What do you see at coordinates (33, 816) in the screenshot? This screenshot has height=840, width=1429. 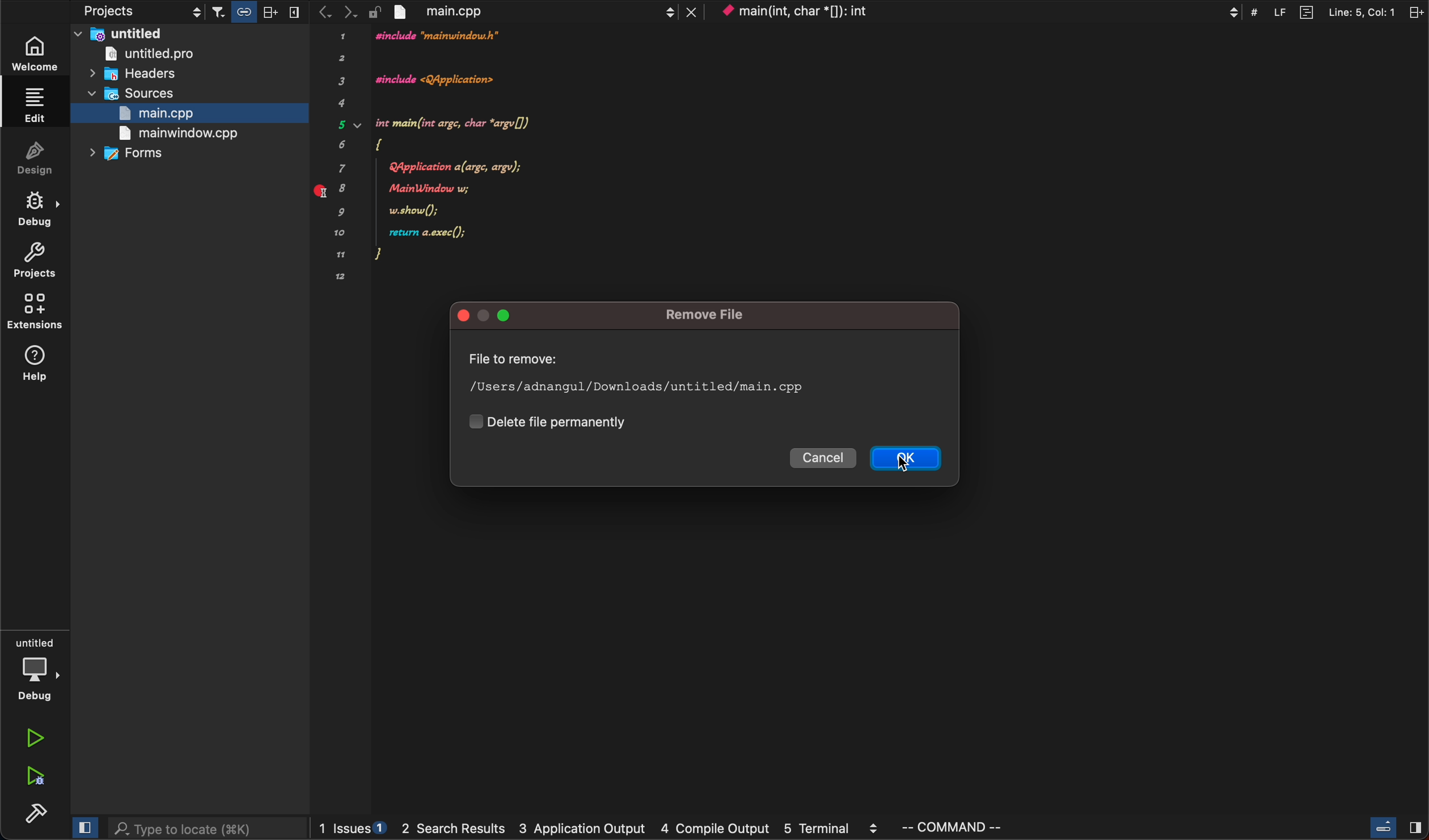 I see `build` at bounding box center [33, 816].